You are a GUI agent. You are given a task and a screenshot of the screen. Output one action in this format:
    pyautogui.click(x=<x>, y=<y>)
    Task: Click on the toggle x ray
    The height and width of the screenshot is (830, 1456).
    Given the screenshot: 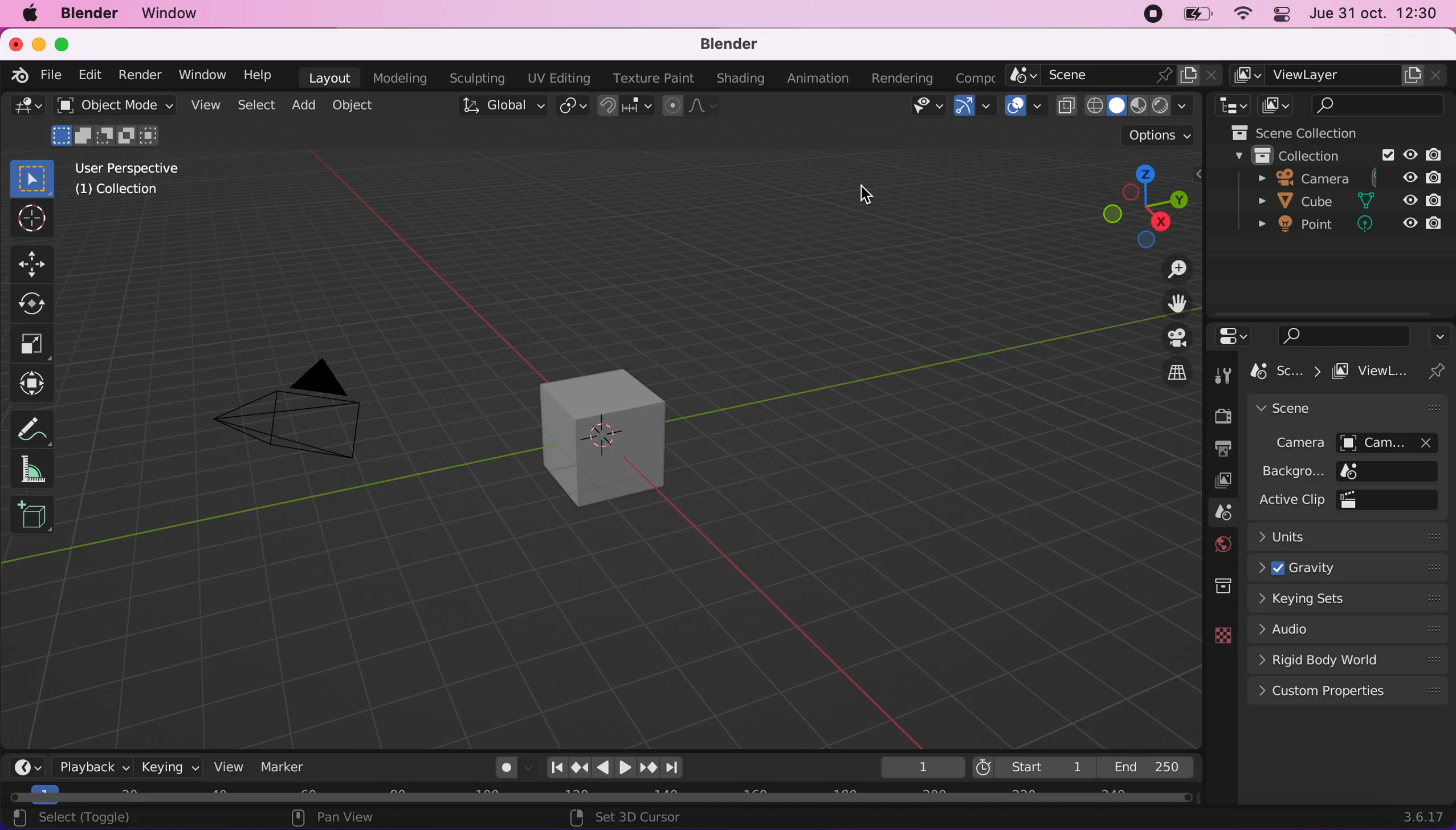 What is the action you would take?
    pyautogui.click(x=1067, y=108)
    